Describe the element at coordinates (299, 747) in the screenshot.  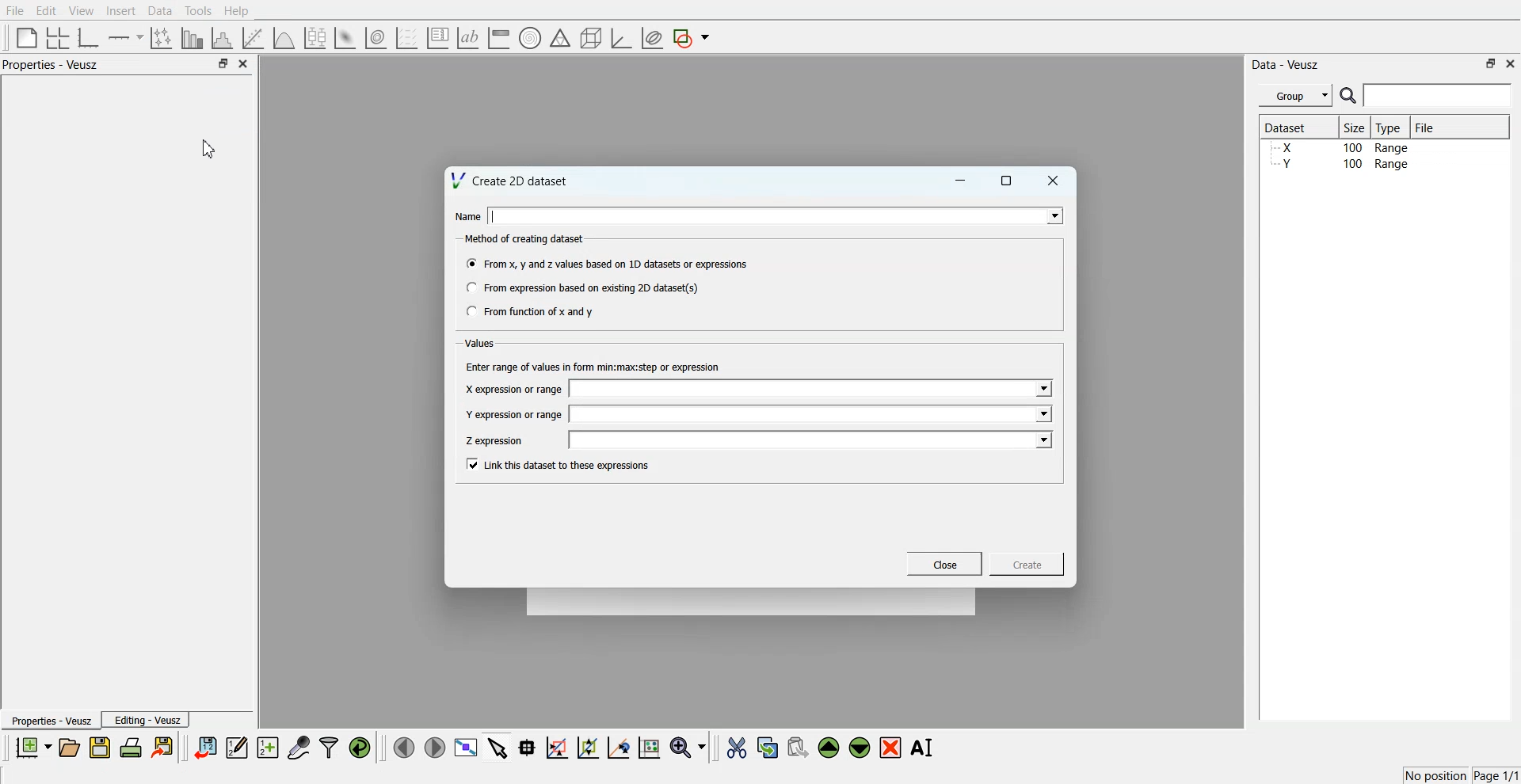
I see `Capture remote data` at that location.